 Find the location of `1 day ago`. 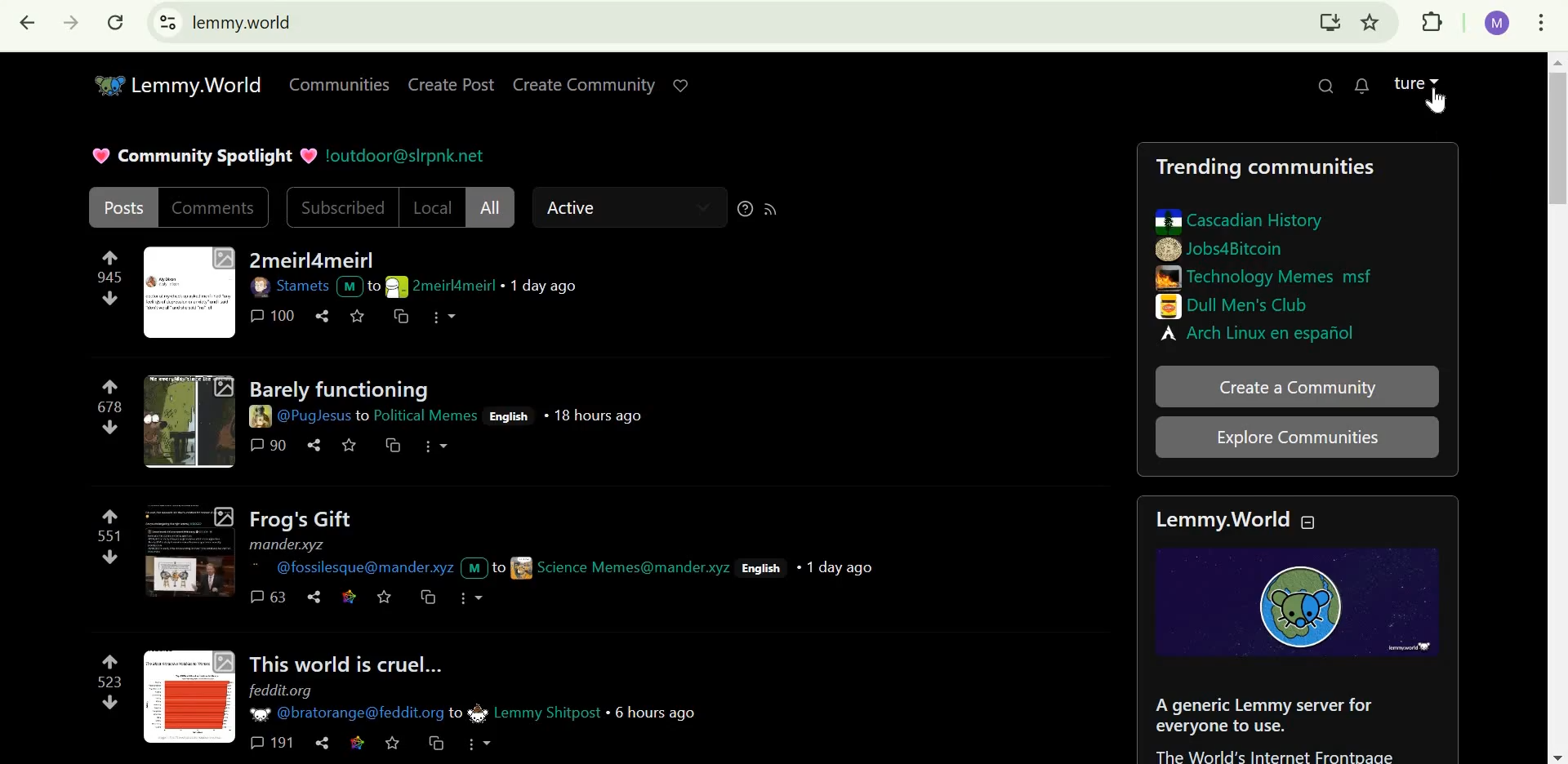

1 day ago is located at coordinates (544, 286).